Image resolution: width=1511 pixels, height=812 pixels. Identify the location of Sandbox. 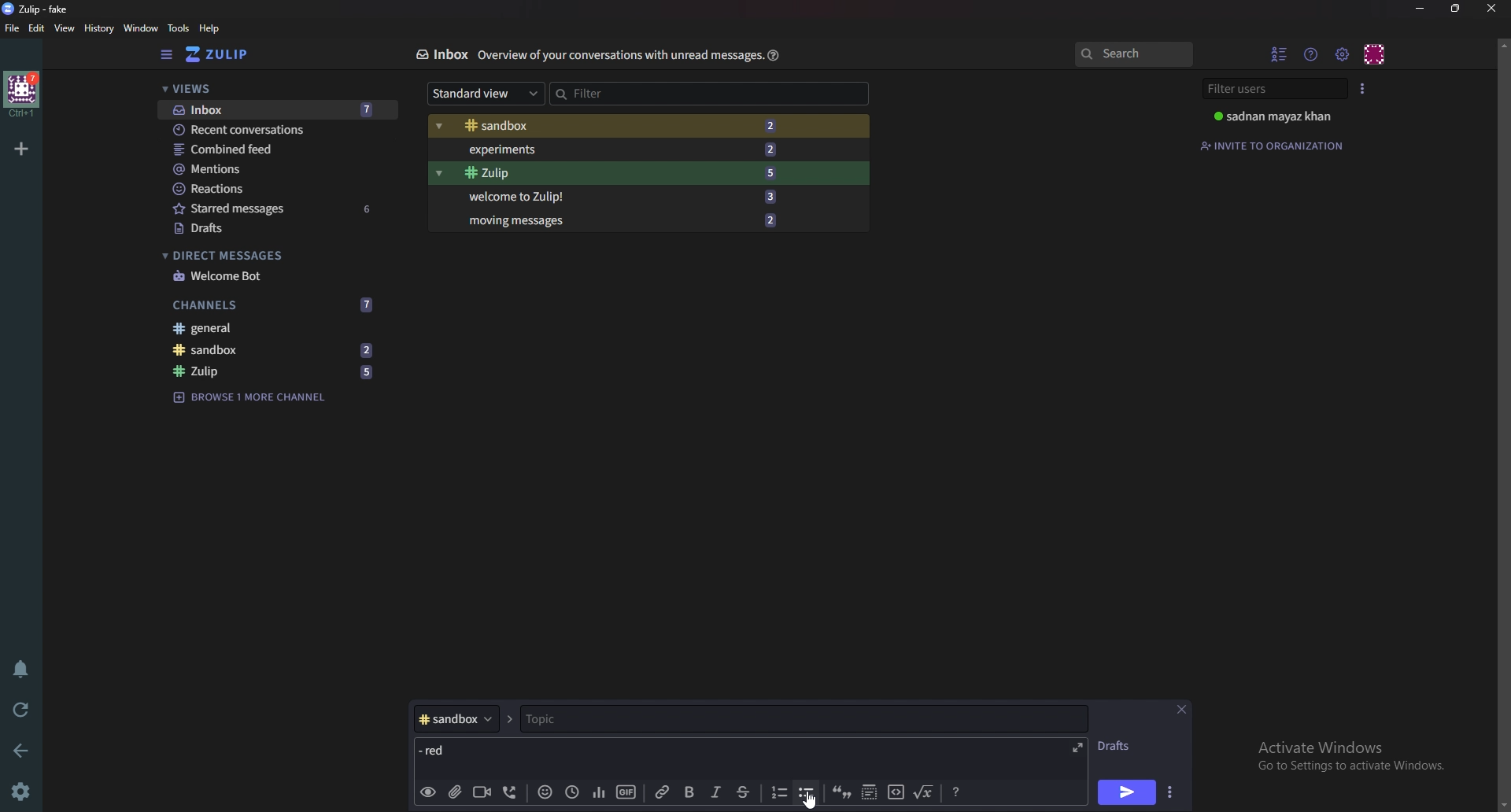
(273, 349).